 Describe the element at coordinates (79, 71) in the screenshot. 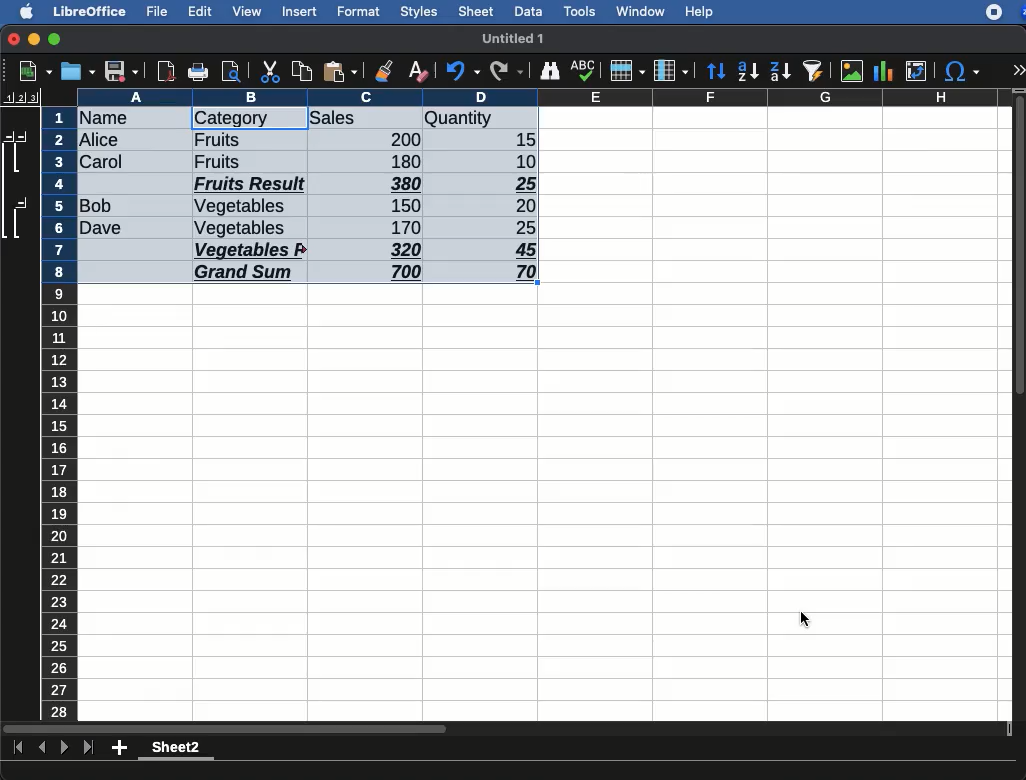

I see `save` at that location.